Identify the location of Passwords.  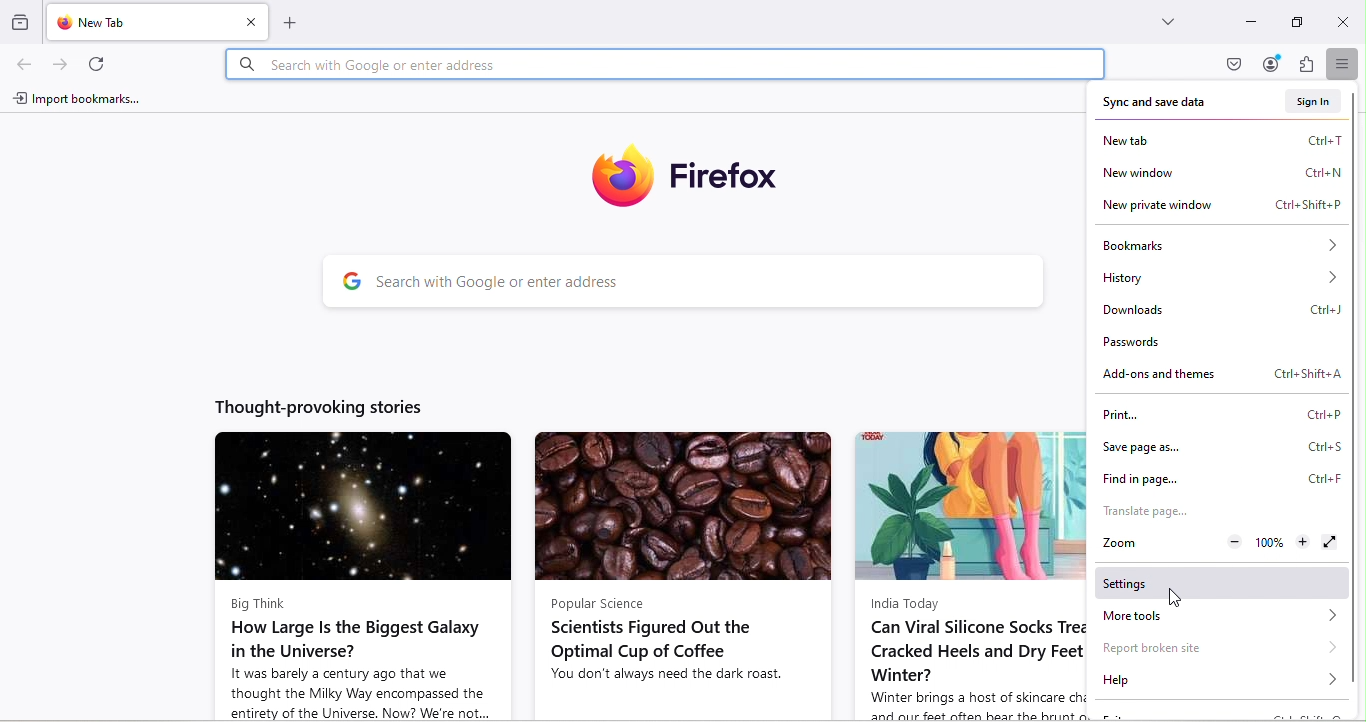
(1147, 345).